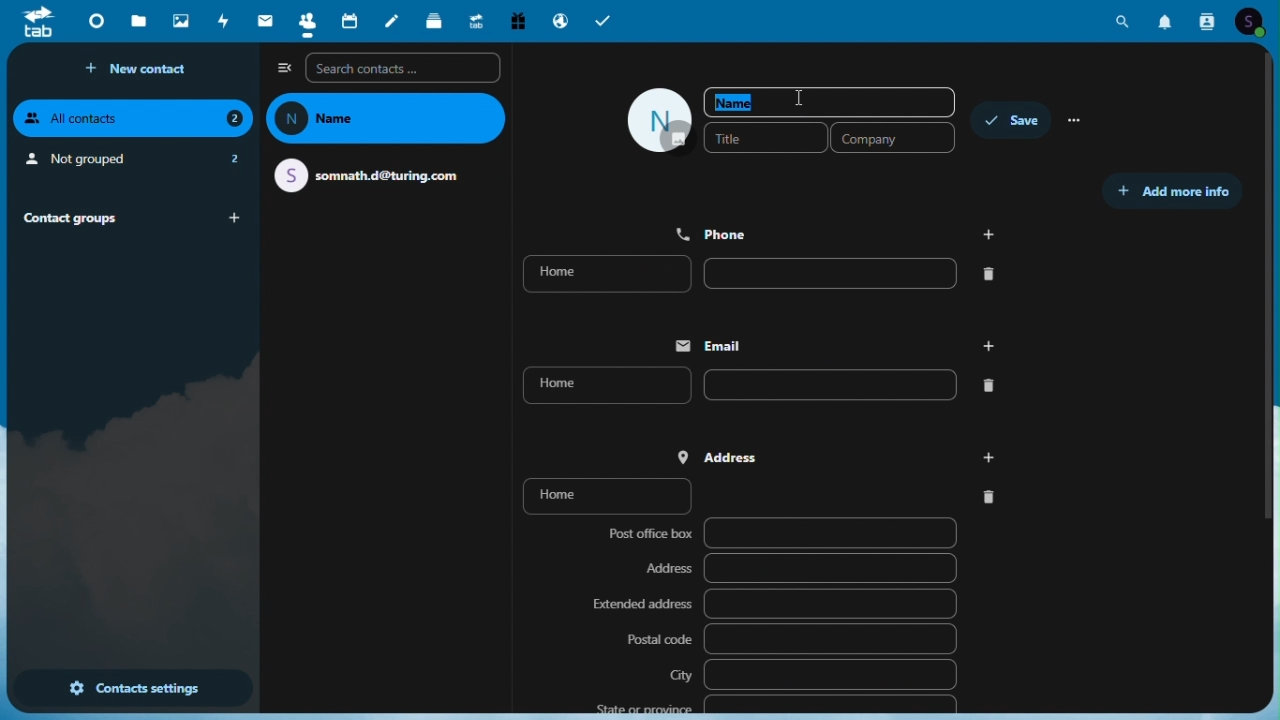  What do you see at coordinates (261, 22) in the screenshot?
I see `Mail` at bounding box center [261, 22].